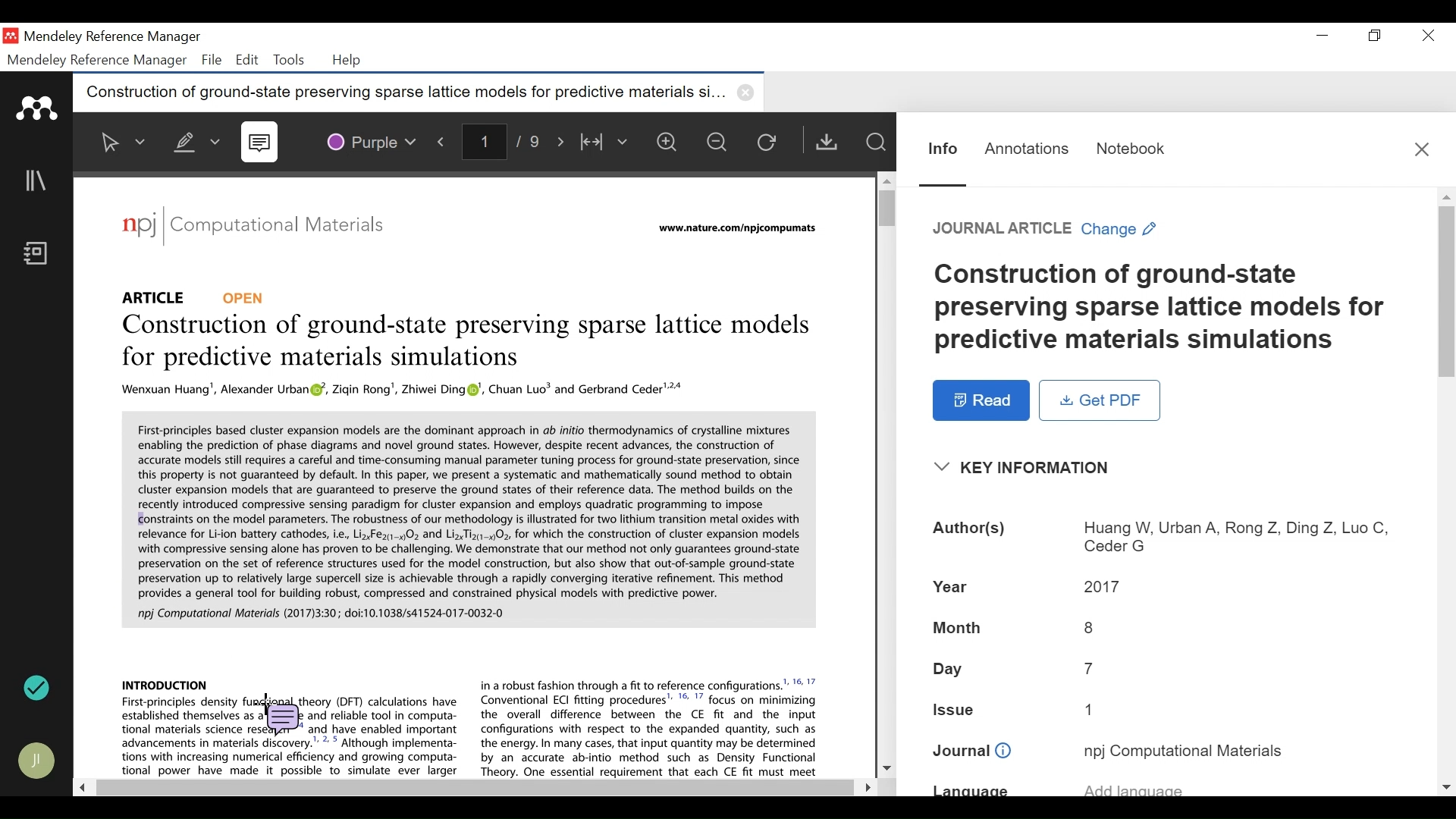 The width and height of the screenshot is (1456, 819). Describe the element at coordinates (1167, 751) in the screenshot. I see `Journal` at that location.